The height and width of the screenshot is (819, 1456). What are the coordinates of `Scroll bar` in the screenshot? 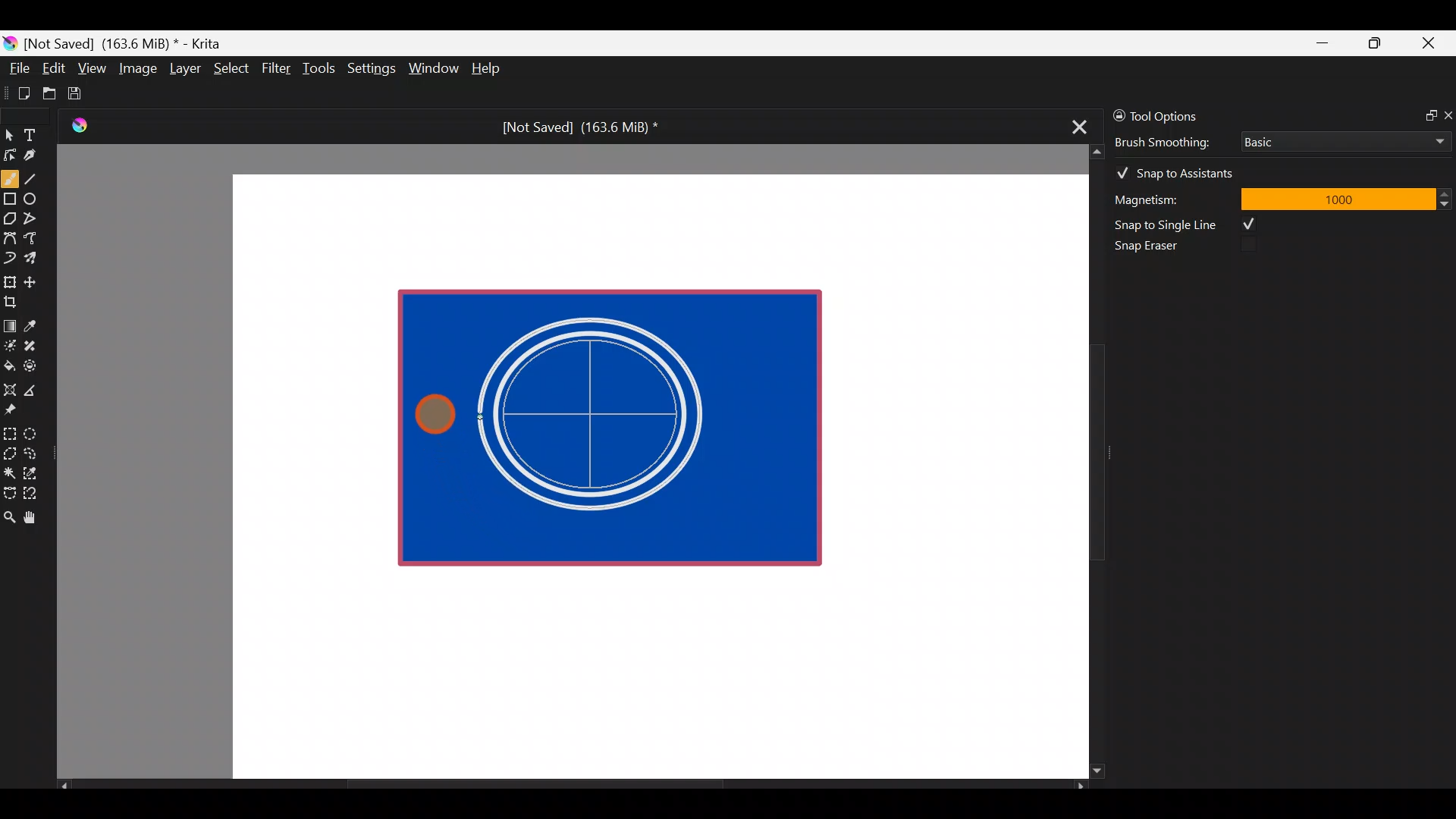 It's located at (572, 786).